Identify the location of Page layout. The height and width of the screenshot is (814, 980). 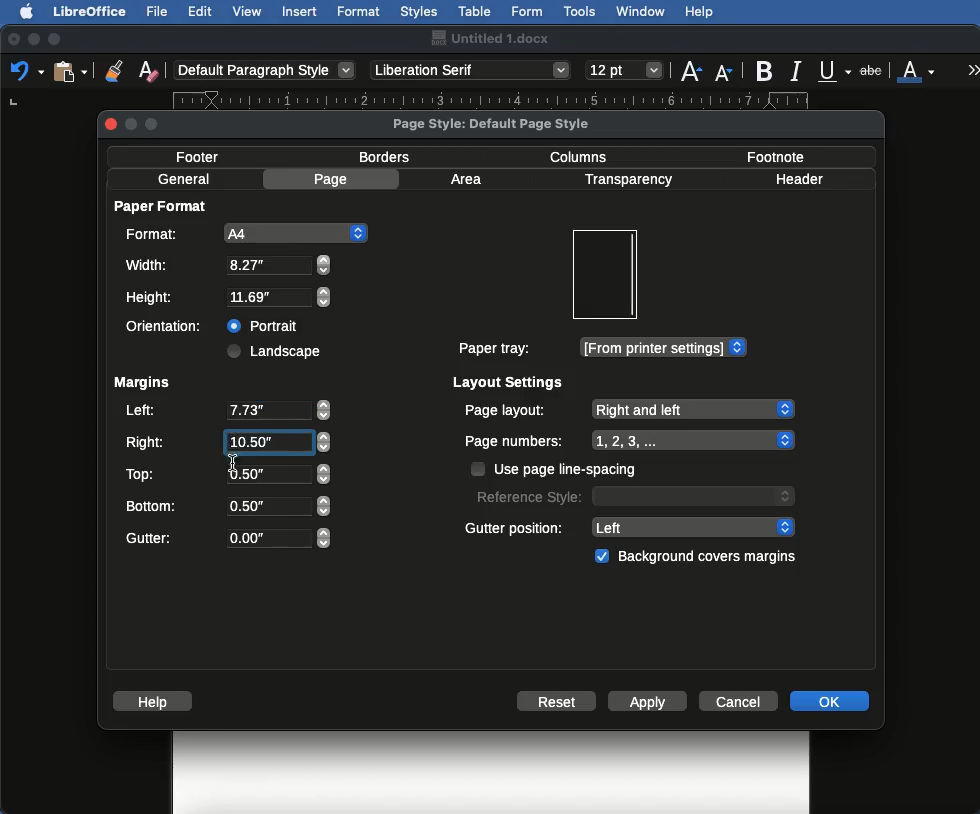
(628, 409).